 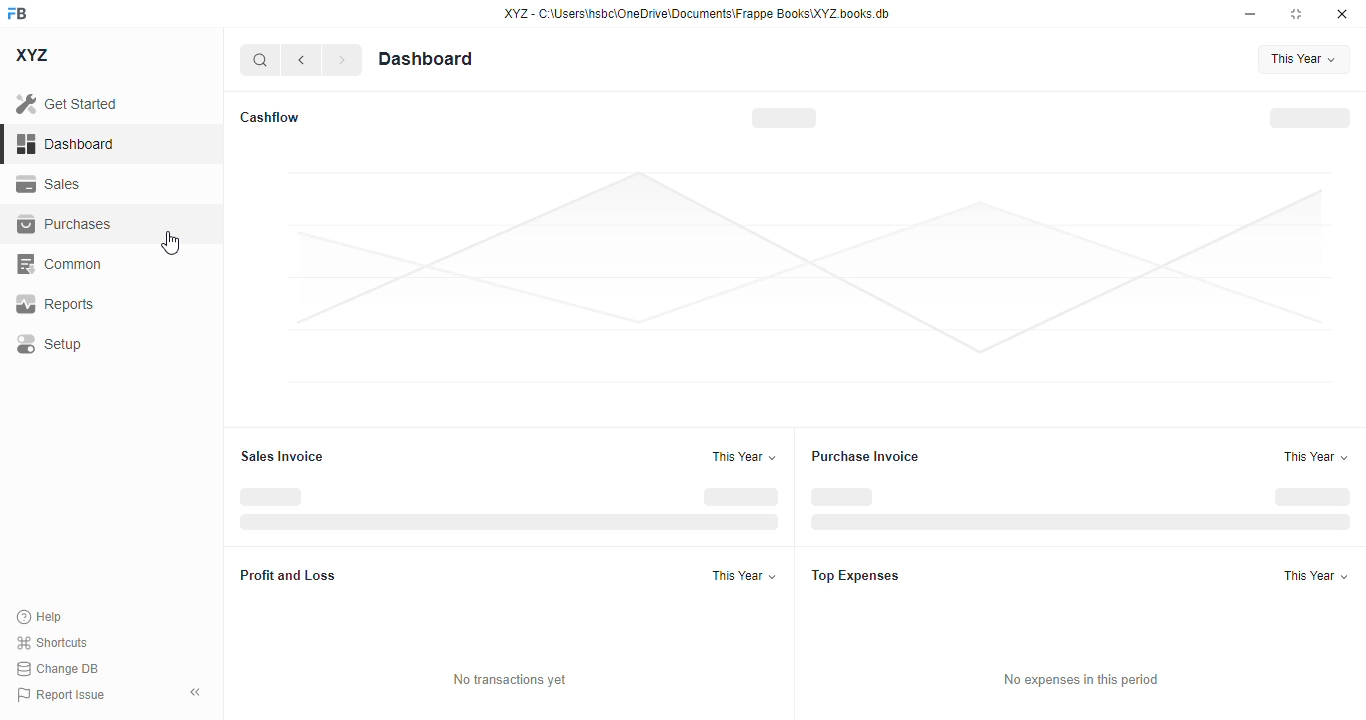 I want to click on XYZ - C:\Users\hsbc\OneDrive\Documents\Frappe Books\XYZ books.db, so click(x=697, y=13).